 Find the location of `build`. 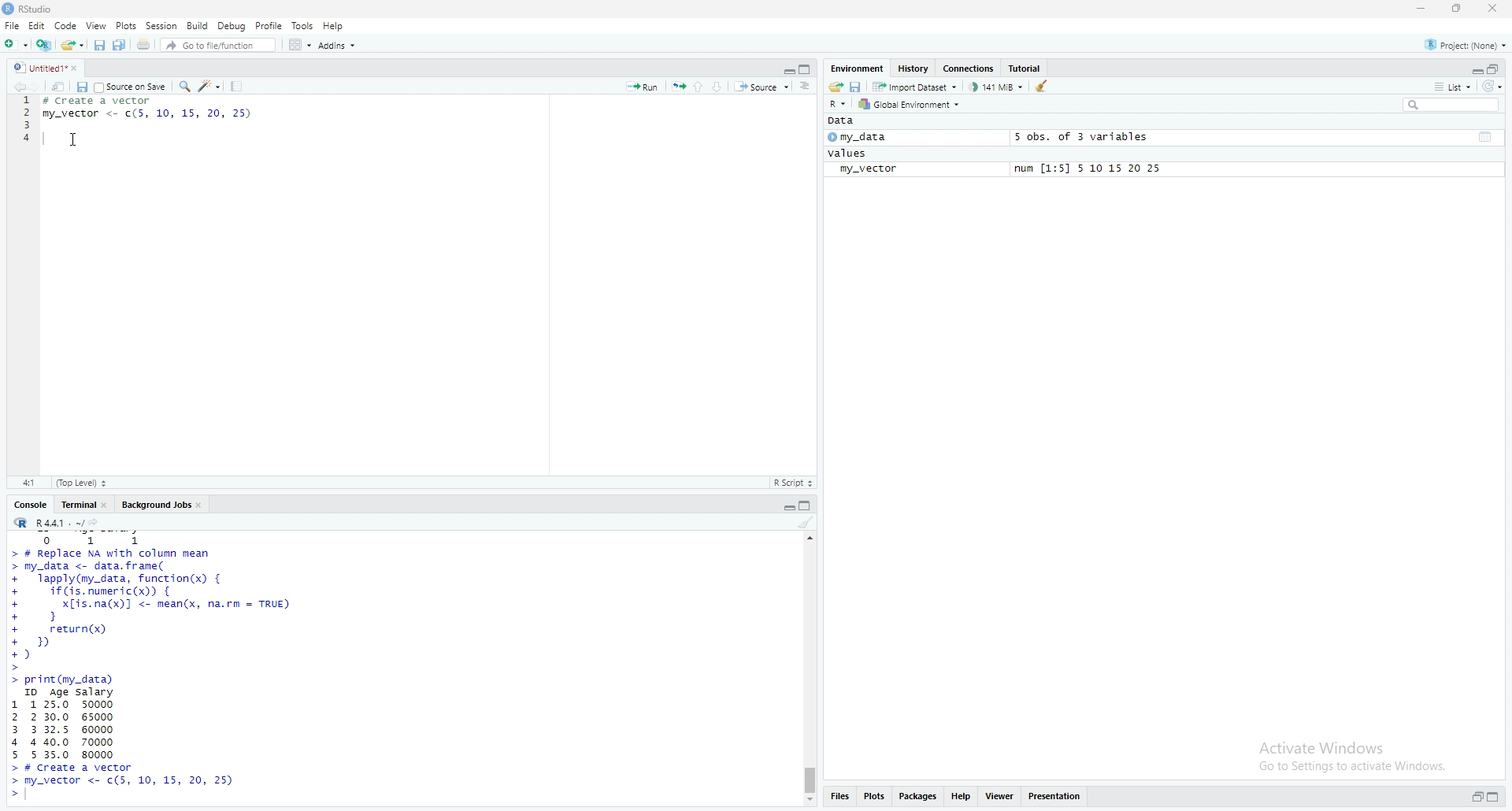

build is located at coordinates (198, 25).